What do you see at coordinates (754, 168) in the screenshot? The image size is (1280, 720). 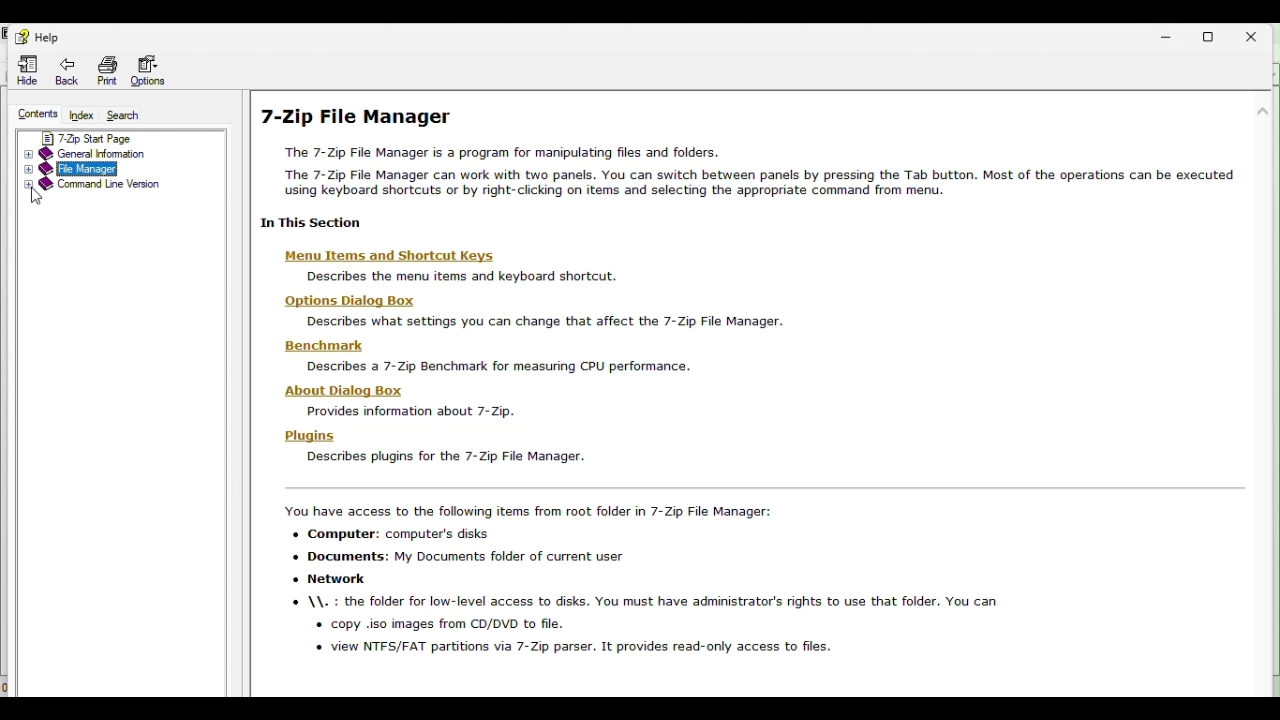 I see `7- zip file manager` at bounding box center [754, 168].